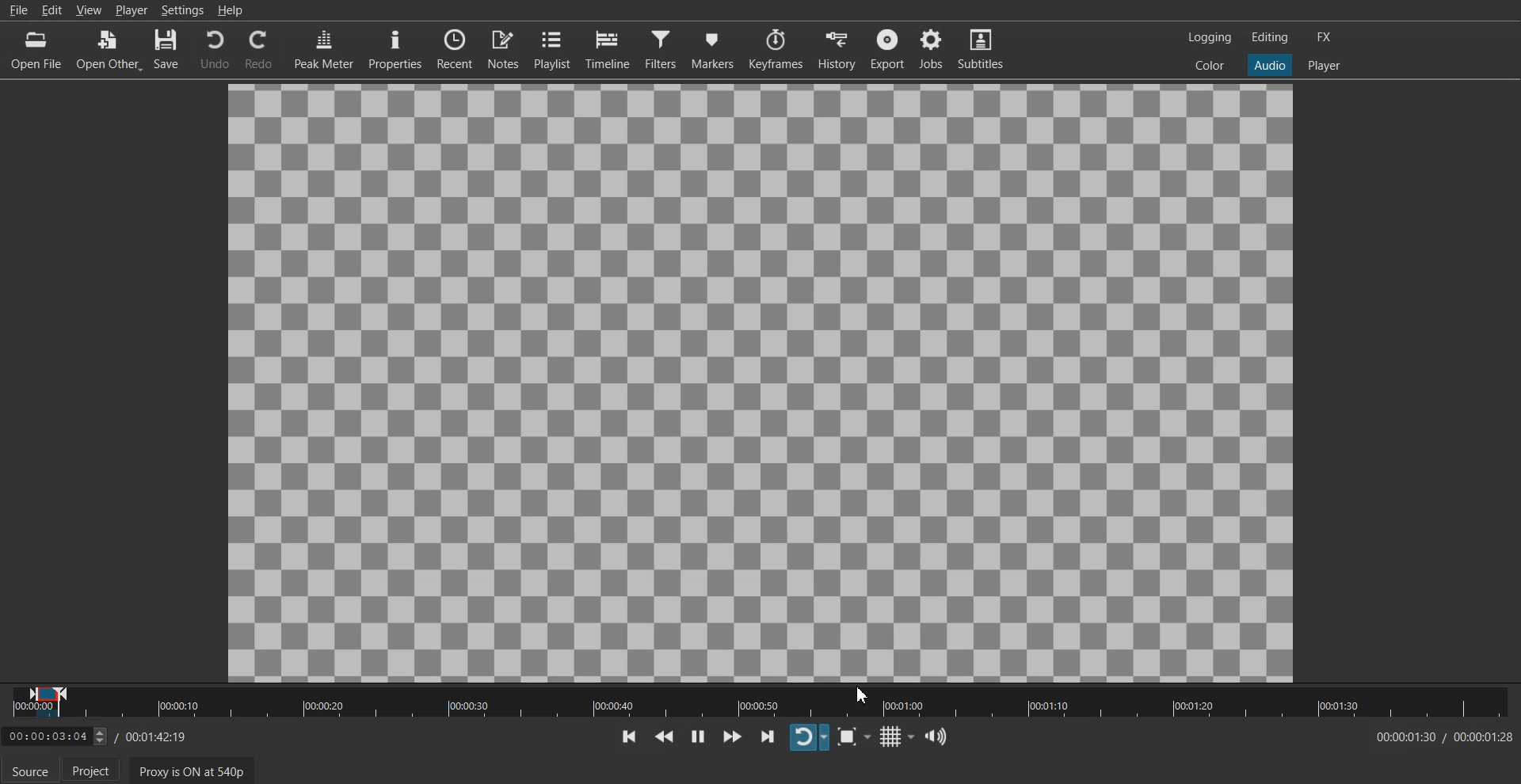 The image size is (1521, 784). What do you see at coordinates (839, 48) in the screenshot?
I see `History` at bounding box center [839, 48].